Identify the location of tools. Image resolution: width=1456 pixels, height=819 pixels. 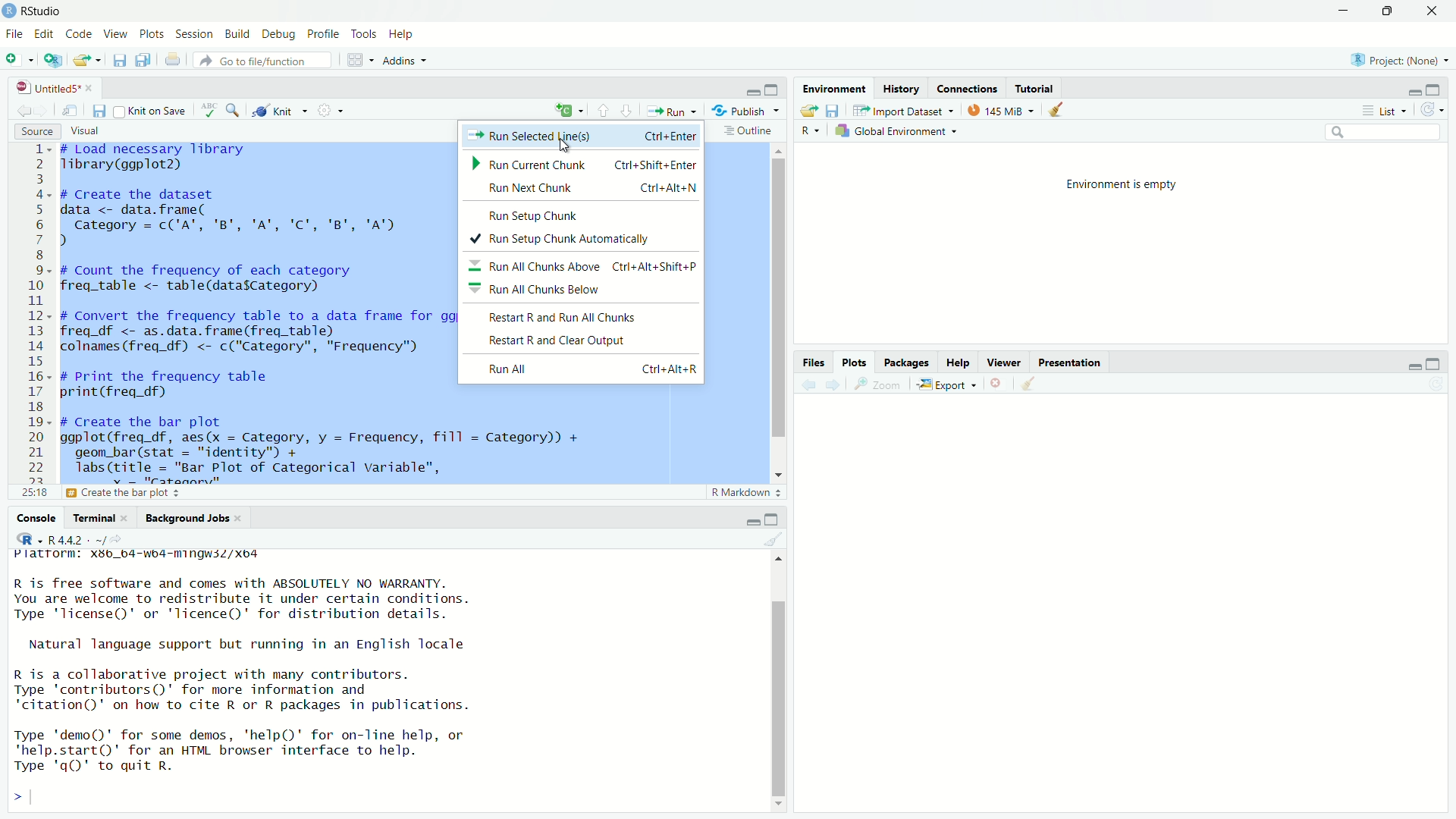
(366, 34).